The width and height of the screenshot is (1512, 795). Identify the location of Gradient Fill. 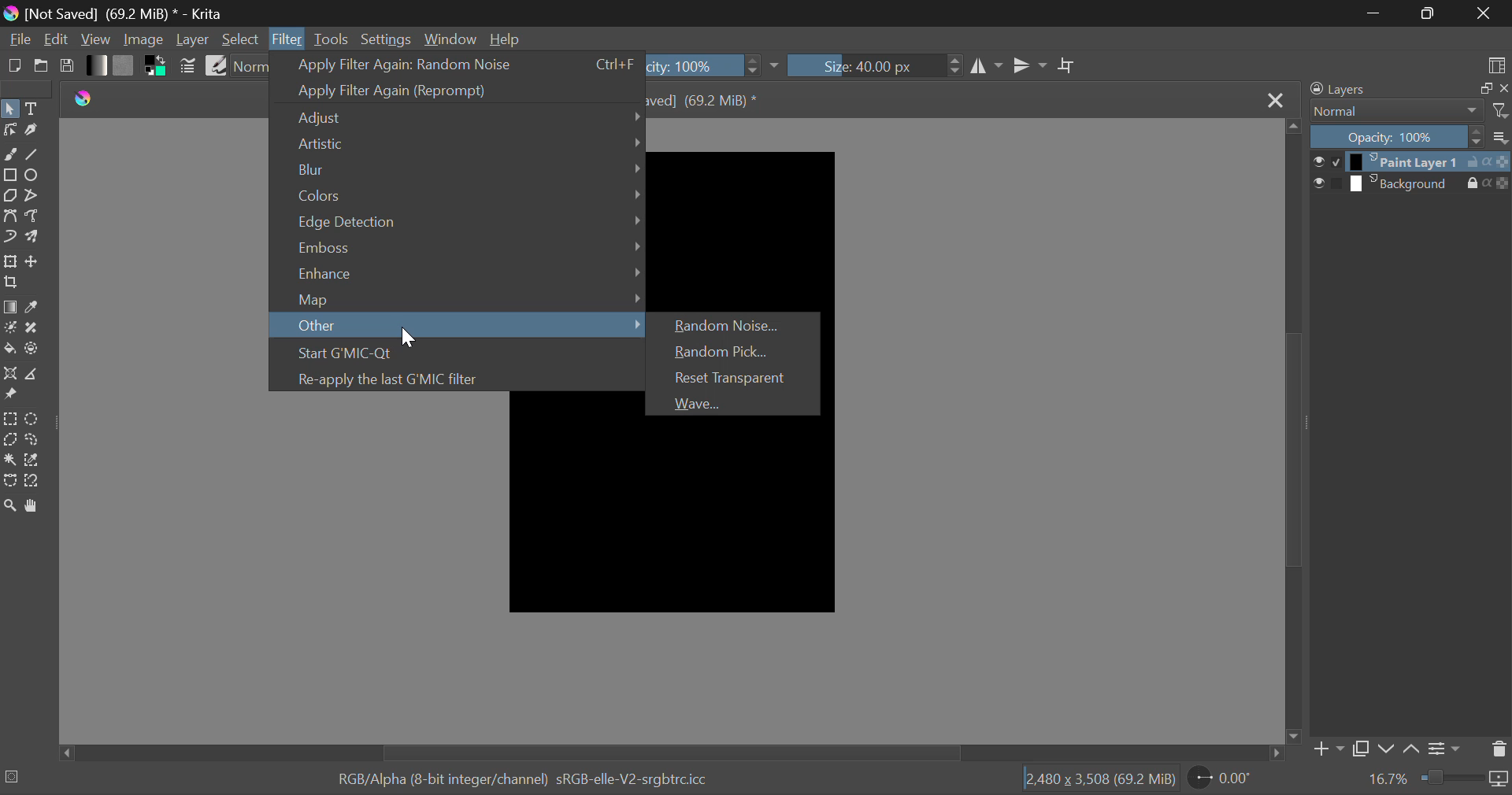
(9, 307).